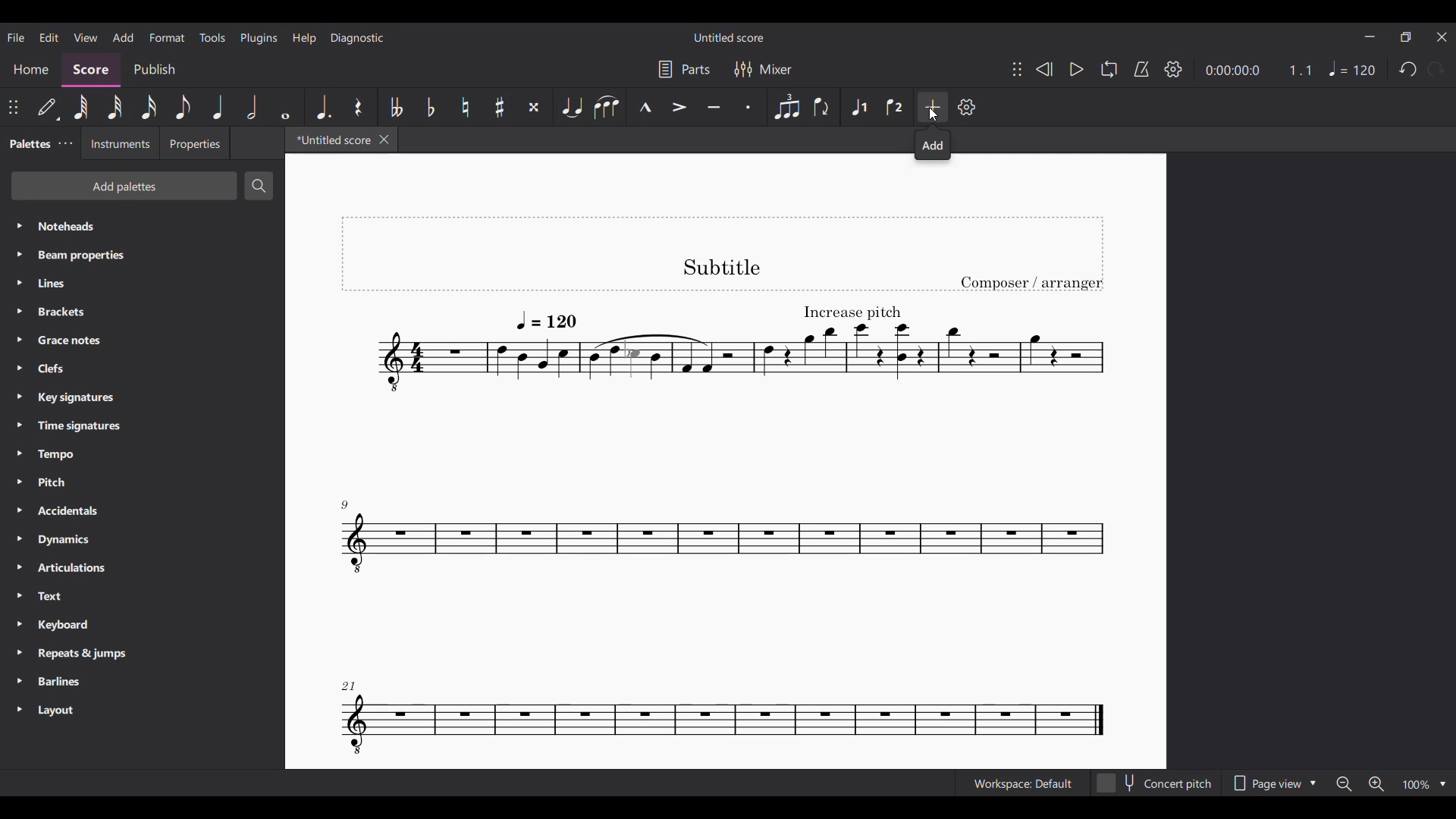 The image size is (1456, 819). I want to click on Toggle natural, so click(465, 107).